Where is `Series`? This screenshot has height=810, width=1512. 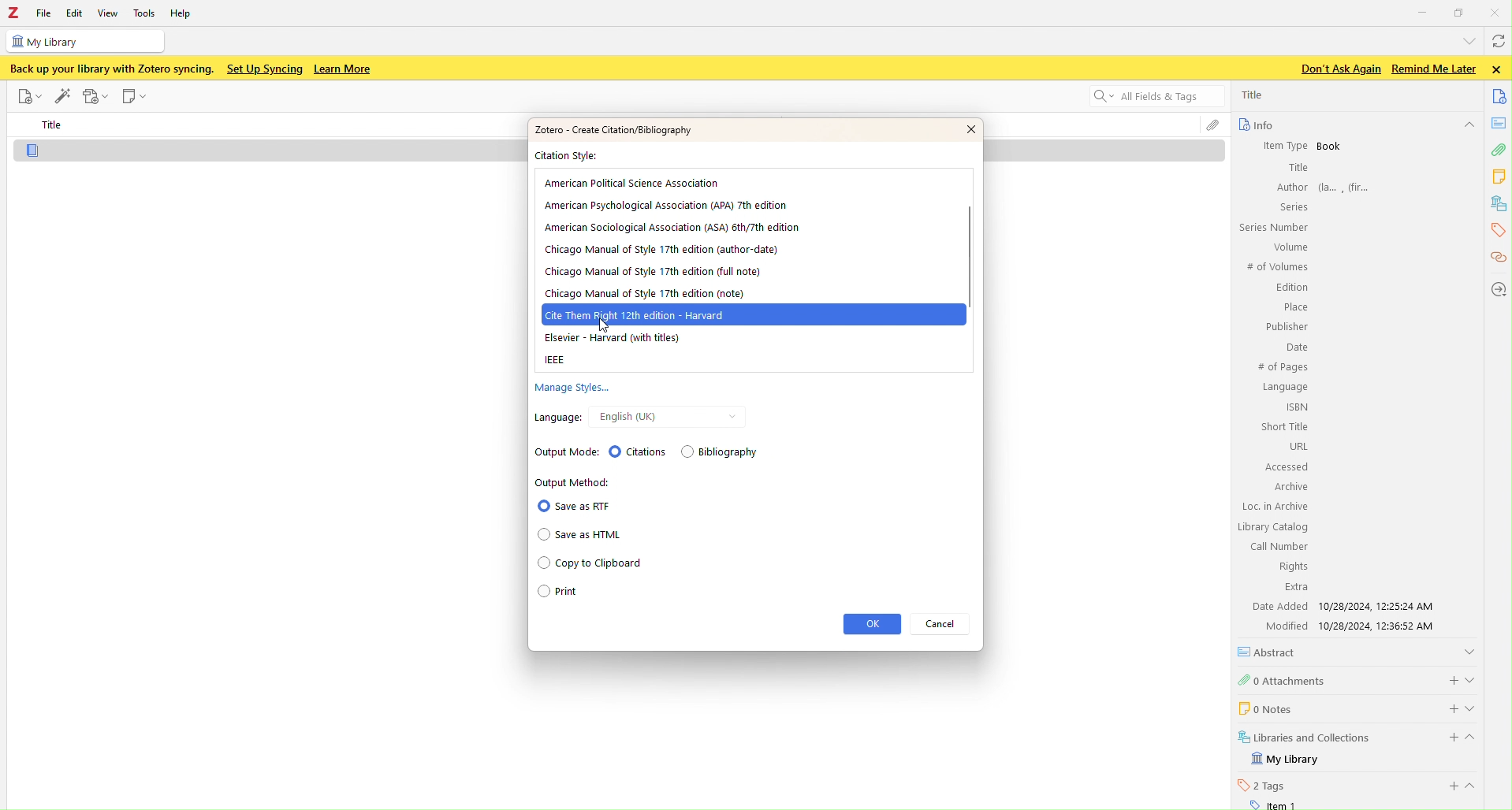 Series is located at coordinates (1291, 206).